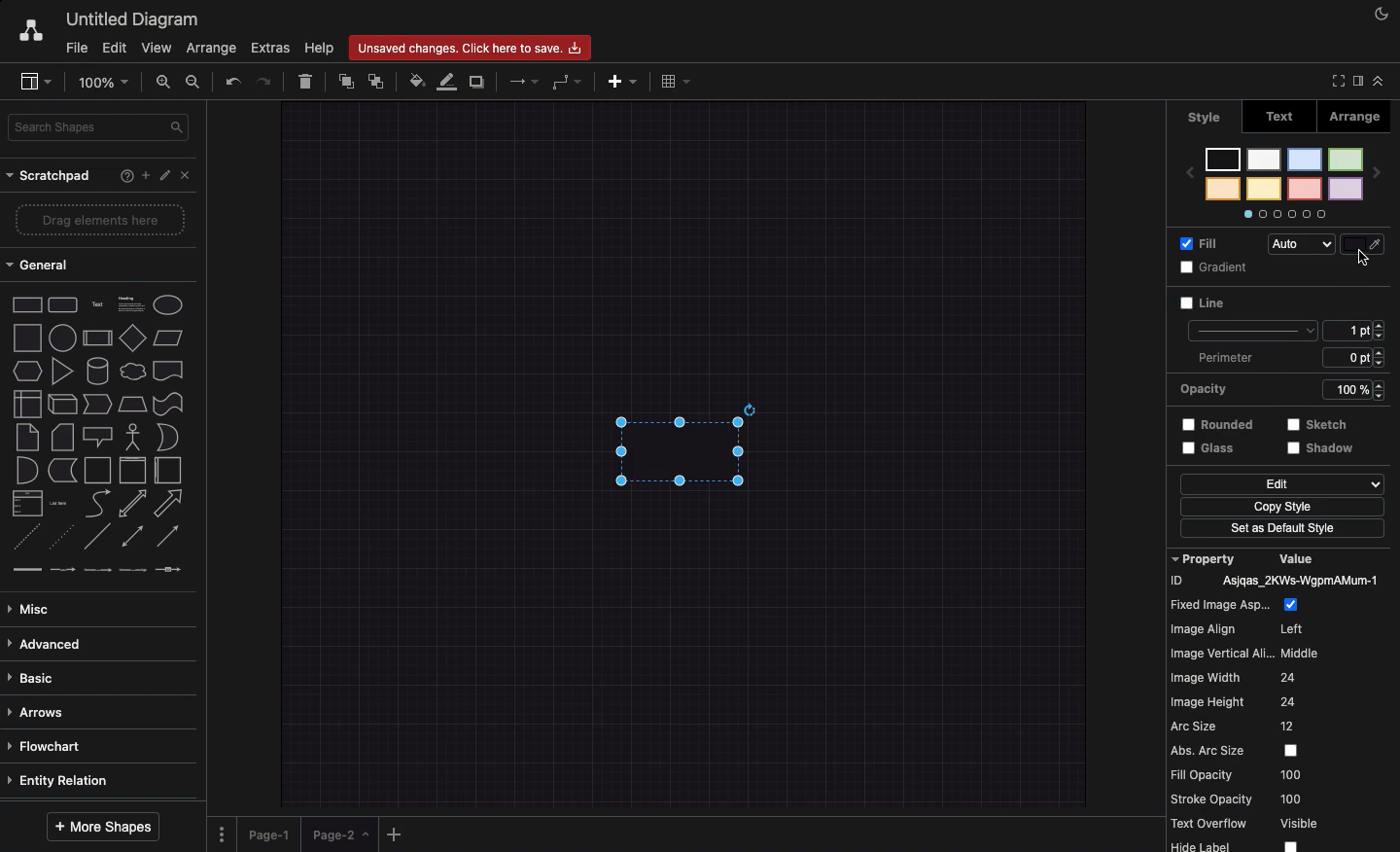  I want to click on and, so click(26, 471).